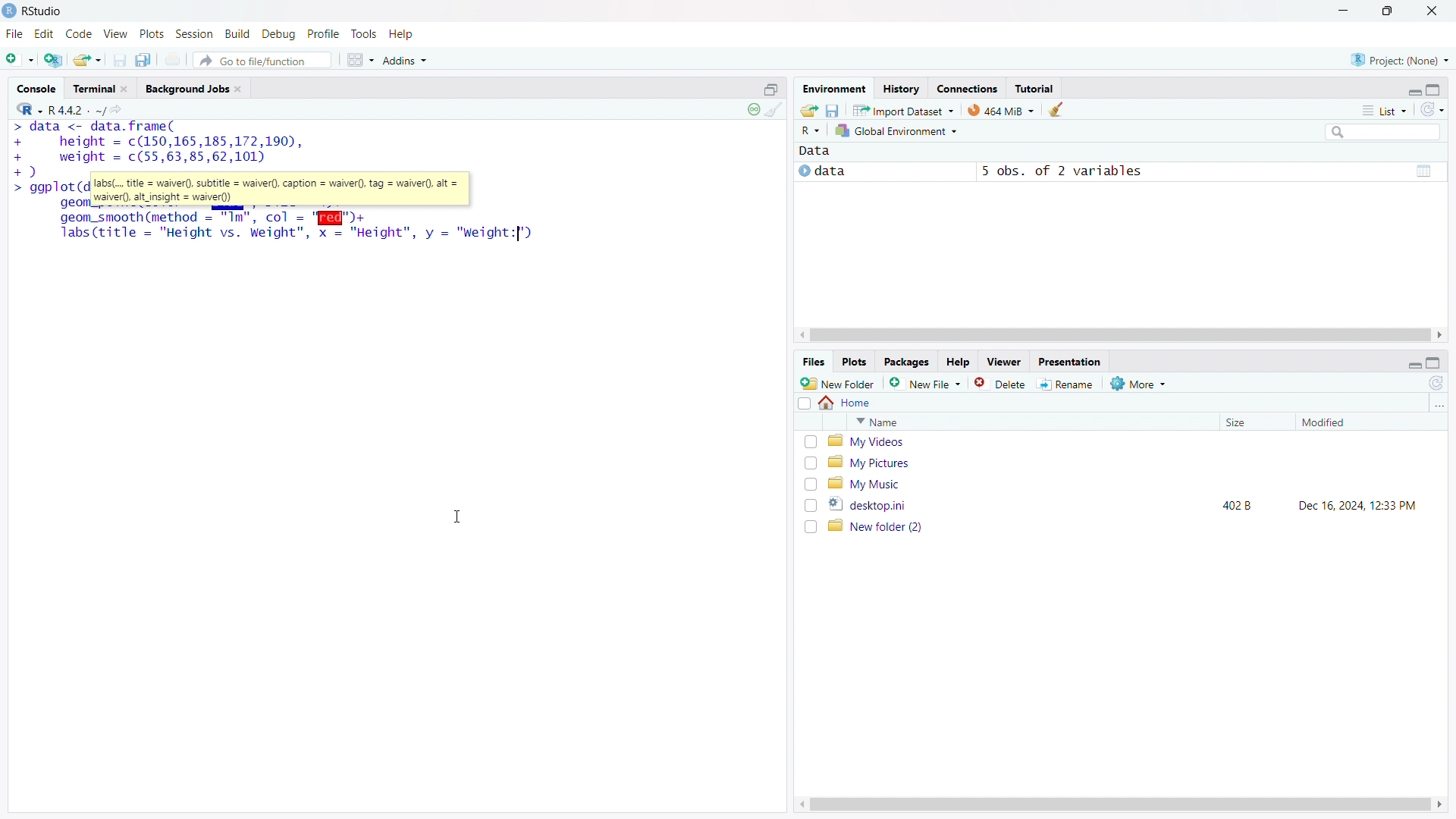 Image resolution: width=1456 pixels, height=819 pixels. I want to click on modified, so click(1351, 422).